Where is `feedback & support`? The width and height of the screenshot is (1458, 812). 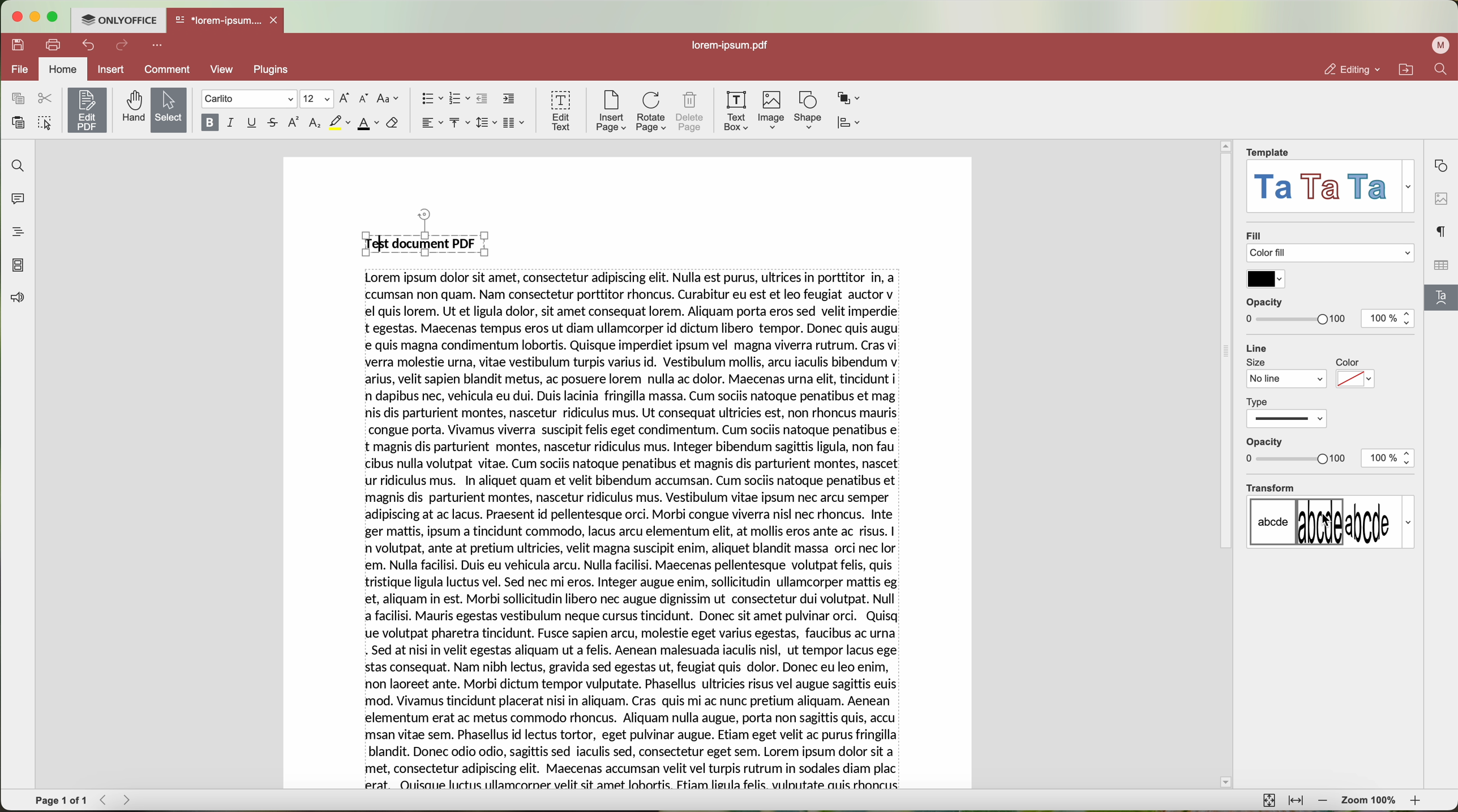
feedback & support is located at coordinates (15, 299).